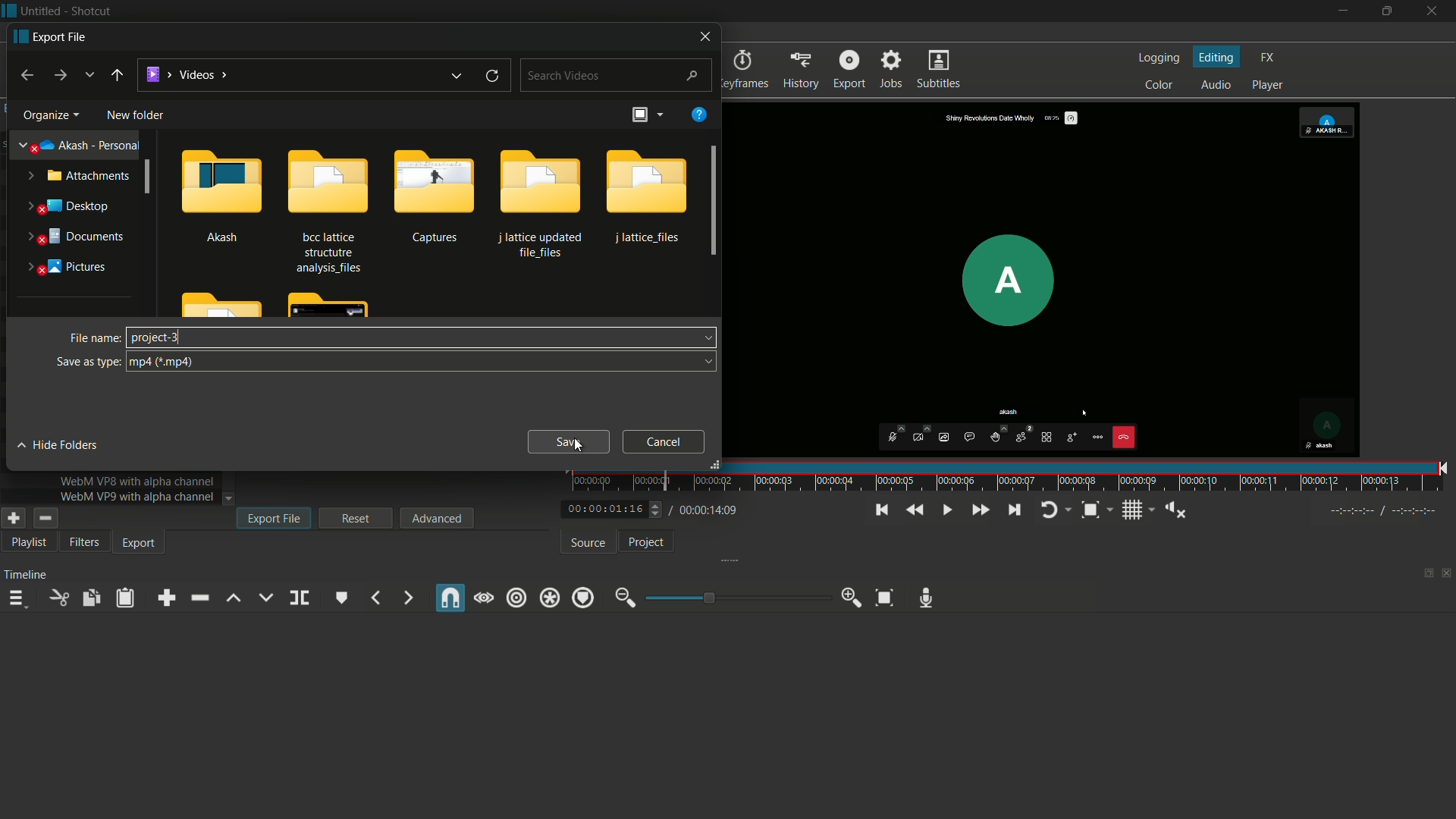 The height and width of the screenshot is (819, 1456). I want to click on pictures, so click(65, 268).